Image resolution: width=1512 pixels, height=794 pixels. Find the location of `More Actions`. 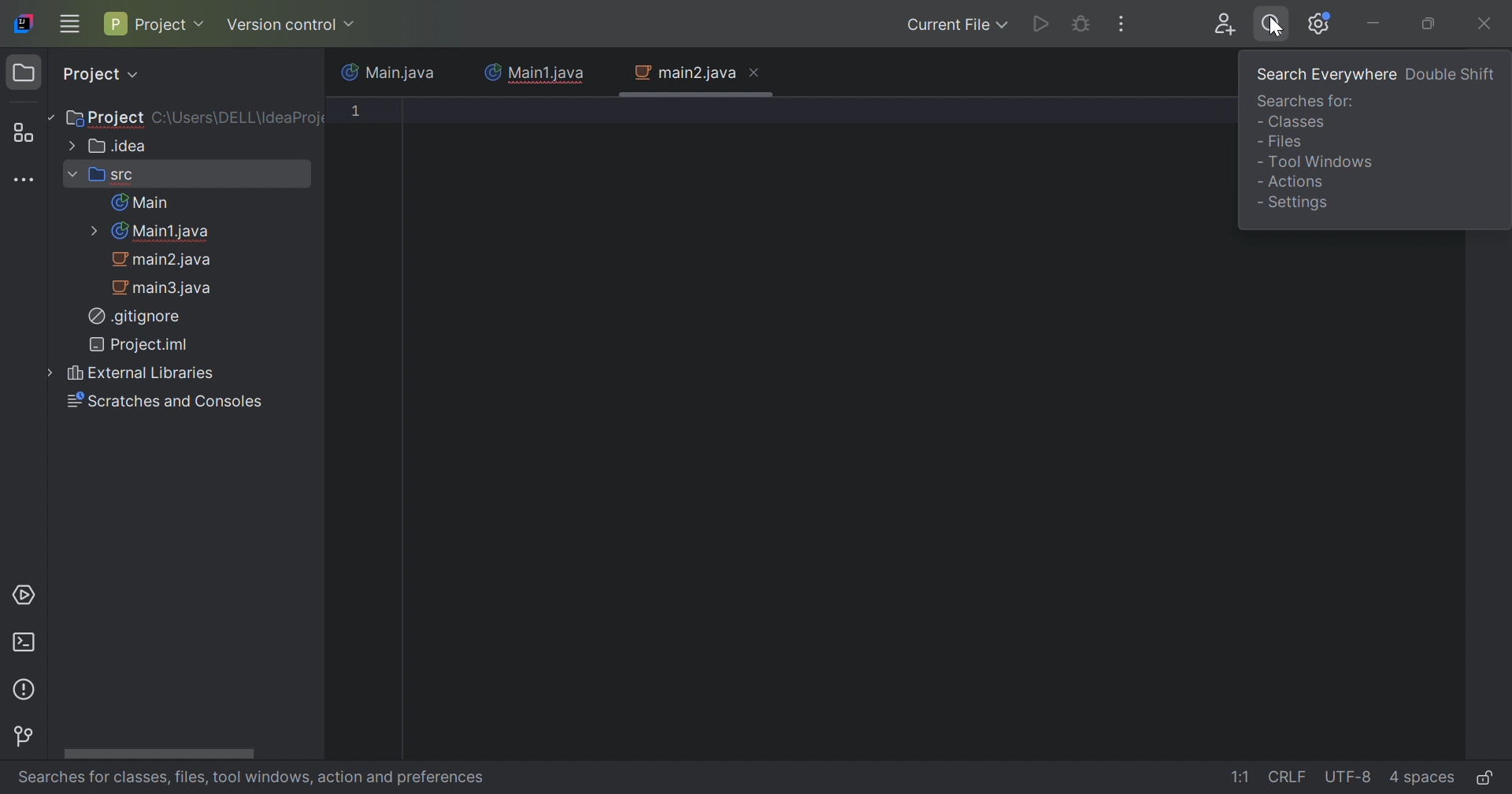

More Actions is located at coordinates (1123, 26).